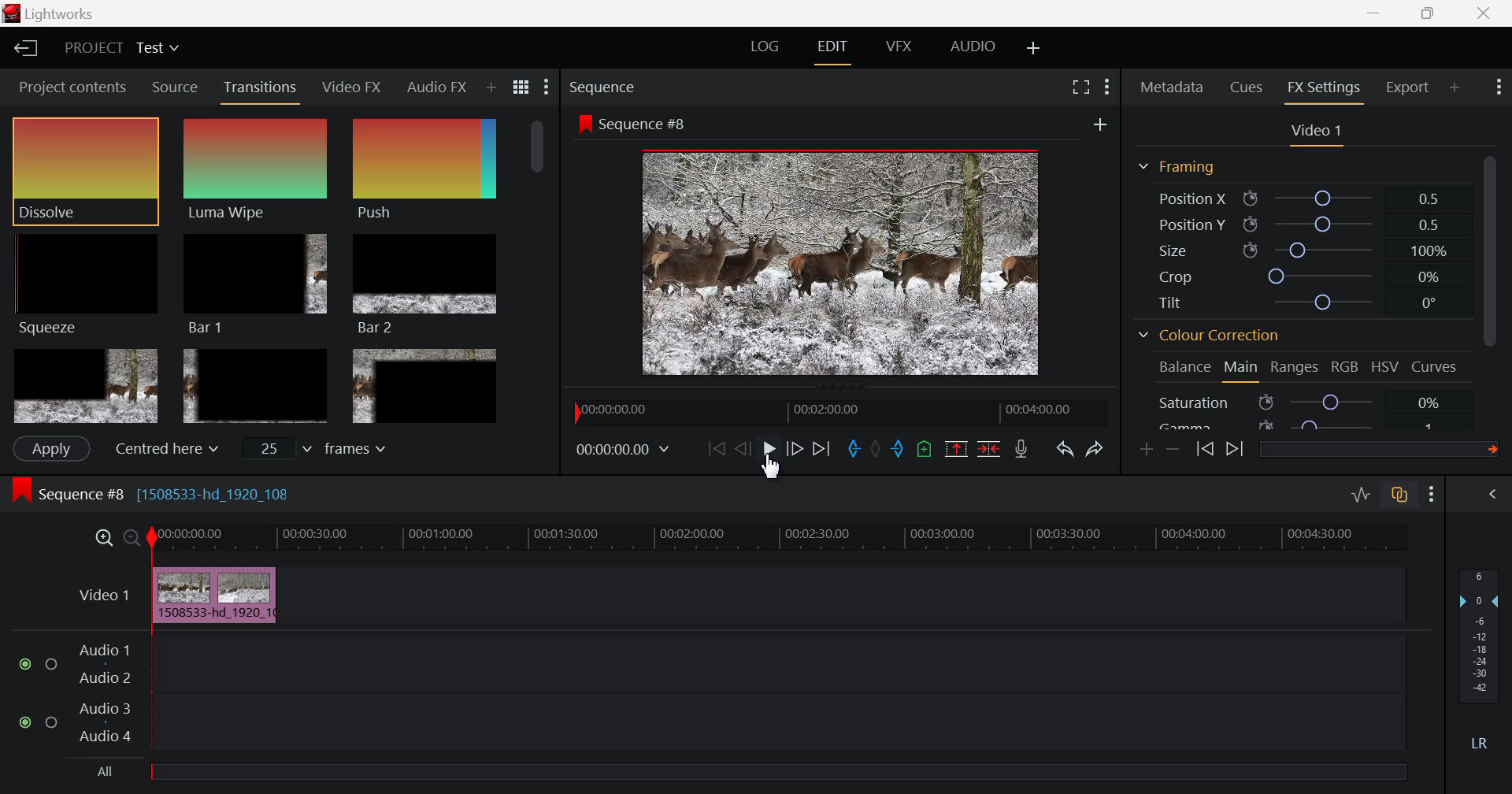 This screenshot has width=1512, height=794. What do you see at coordinates (1298, 369) in the screenshot?
I see `Ranges` at bounding box center [1298, 369].